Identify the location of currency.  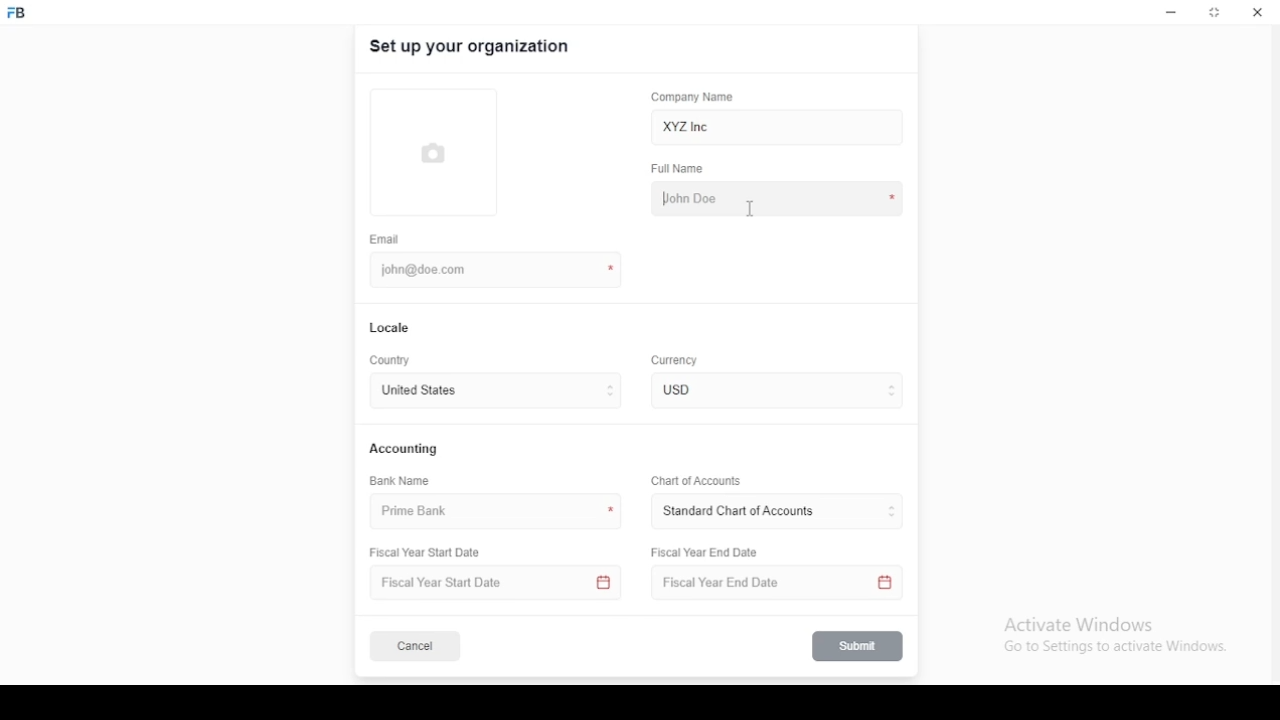
(689, 390).